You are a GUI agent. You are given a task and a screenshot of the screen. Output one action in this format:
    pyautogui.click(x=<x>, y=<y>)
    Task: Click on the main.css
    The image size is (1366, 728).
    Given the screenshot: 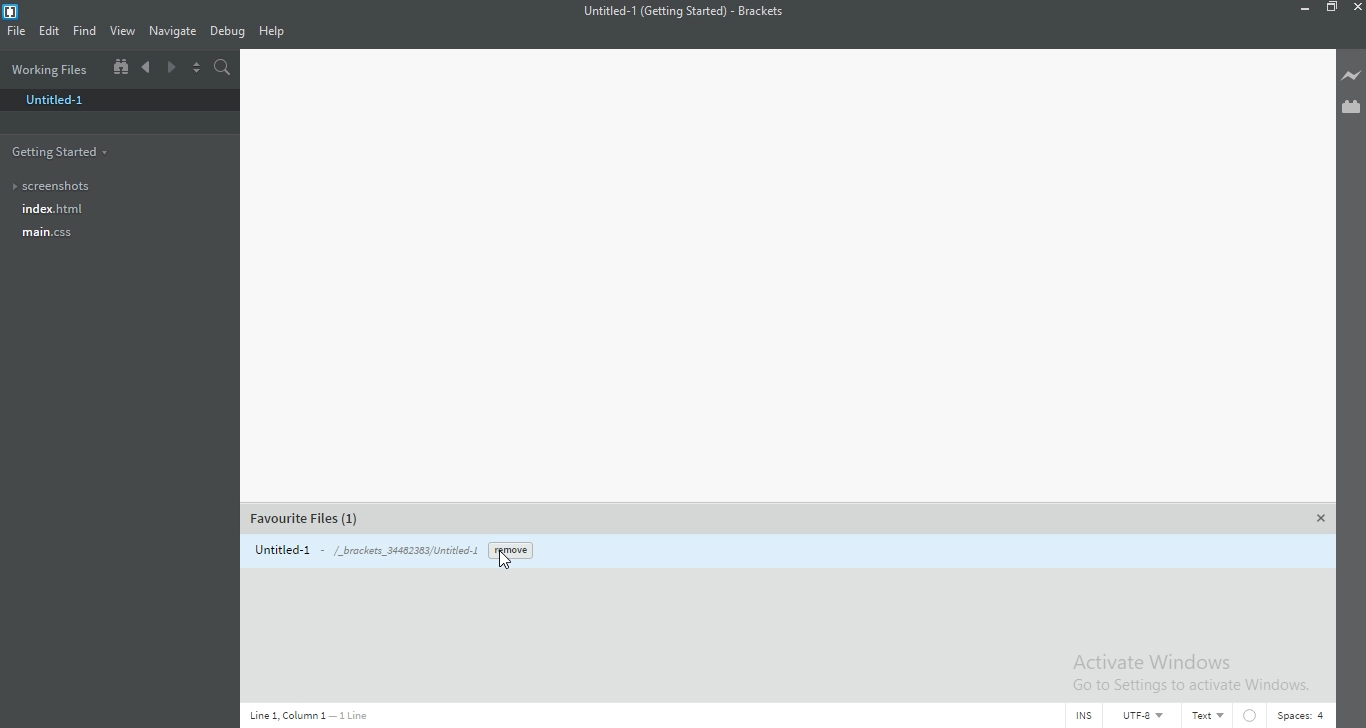 What is the action you would take?
    pyautogui.click(x=84, y=234)
    